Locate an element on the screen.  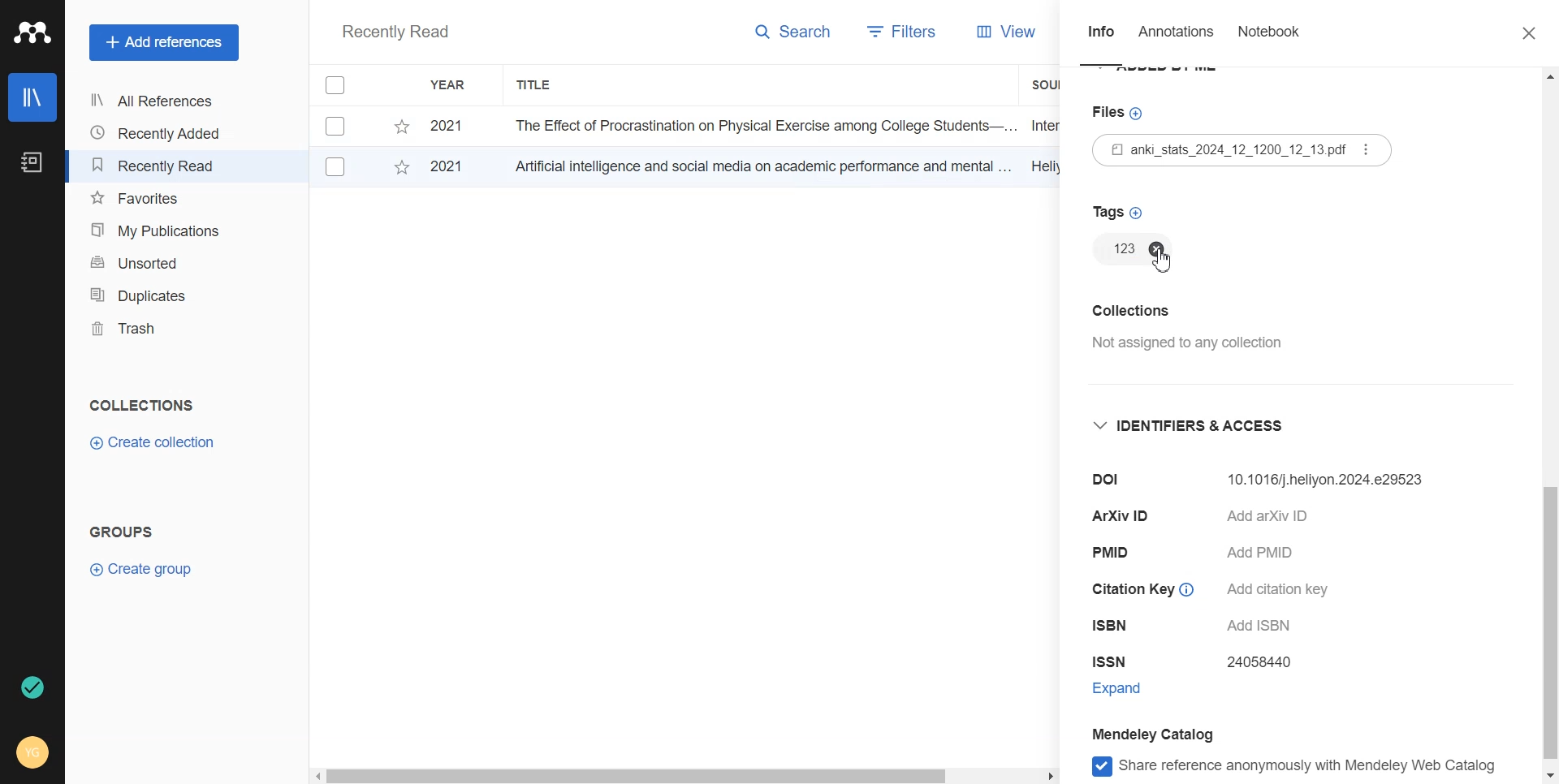
The Effect of Procrastination on Physical Exercise among College Students—... is located at coordinates (759, 125).